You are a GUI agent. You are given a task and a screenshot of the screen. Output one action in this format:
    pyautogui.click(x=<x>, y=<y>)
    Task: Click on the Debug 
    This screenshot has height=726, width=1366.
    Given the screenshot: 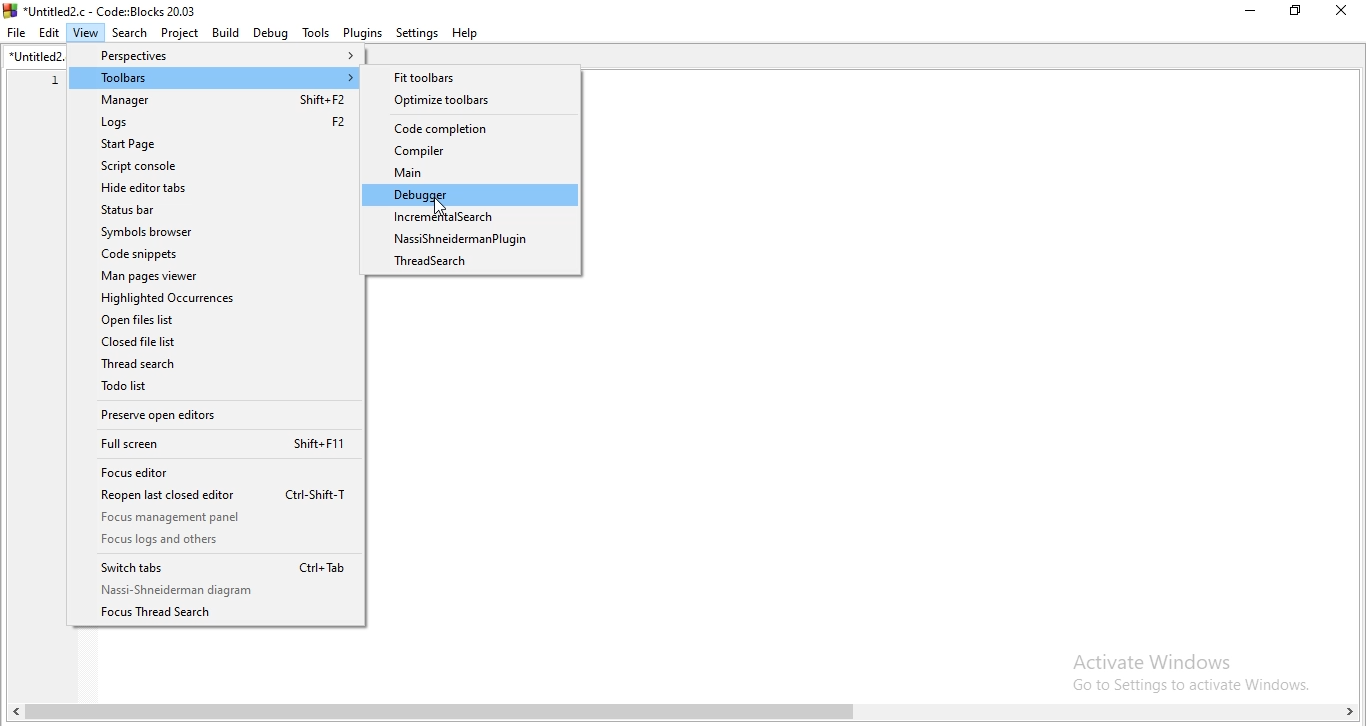 What is the action you would take?
    pyautogui.click(x=271, y=33)
    